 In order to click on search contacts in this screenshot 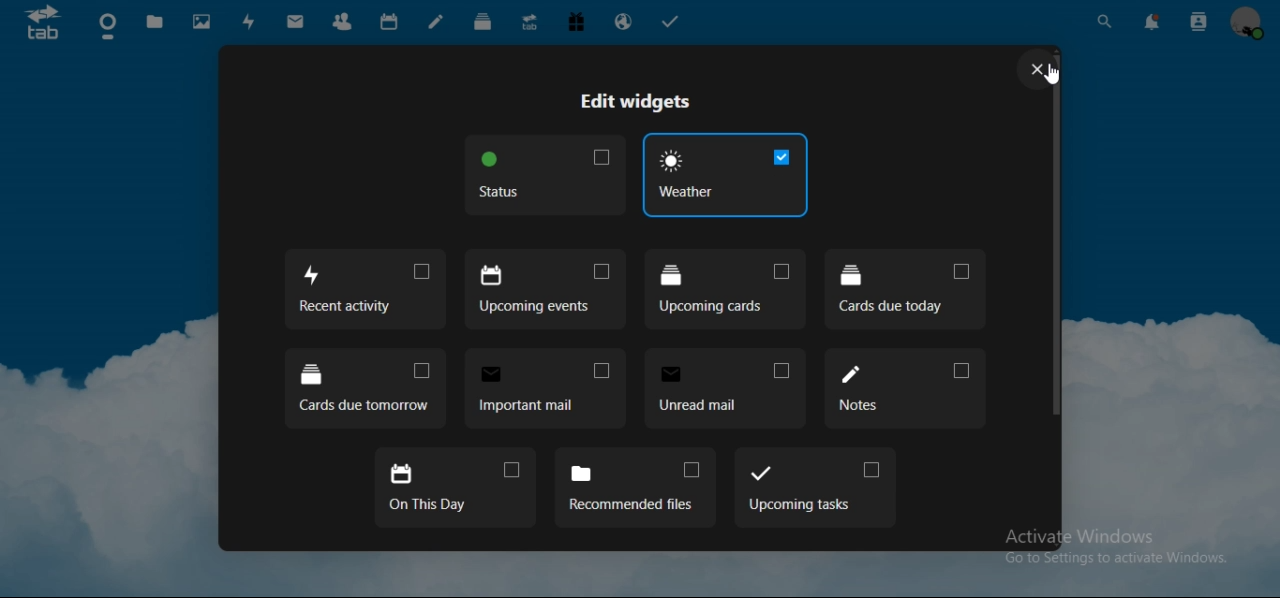, I will do `click(1198, 21)`.